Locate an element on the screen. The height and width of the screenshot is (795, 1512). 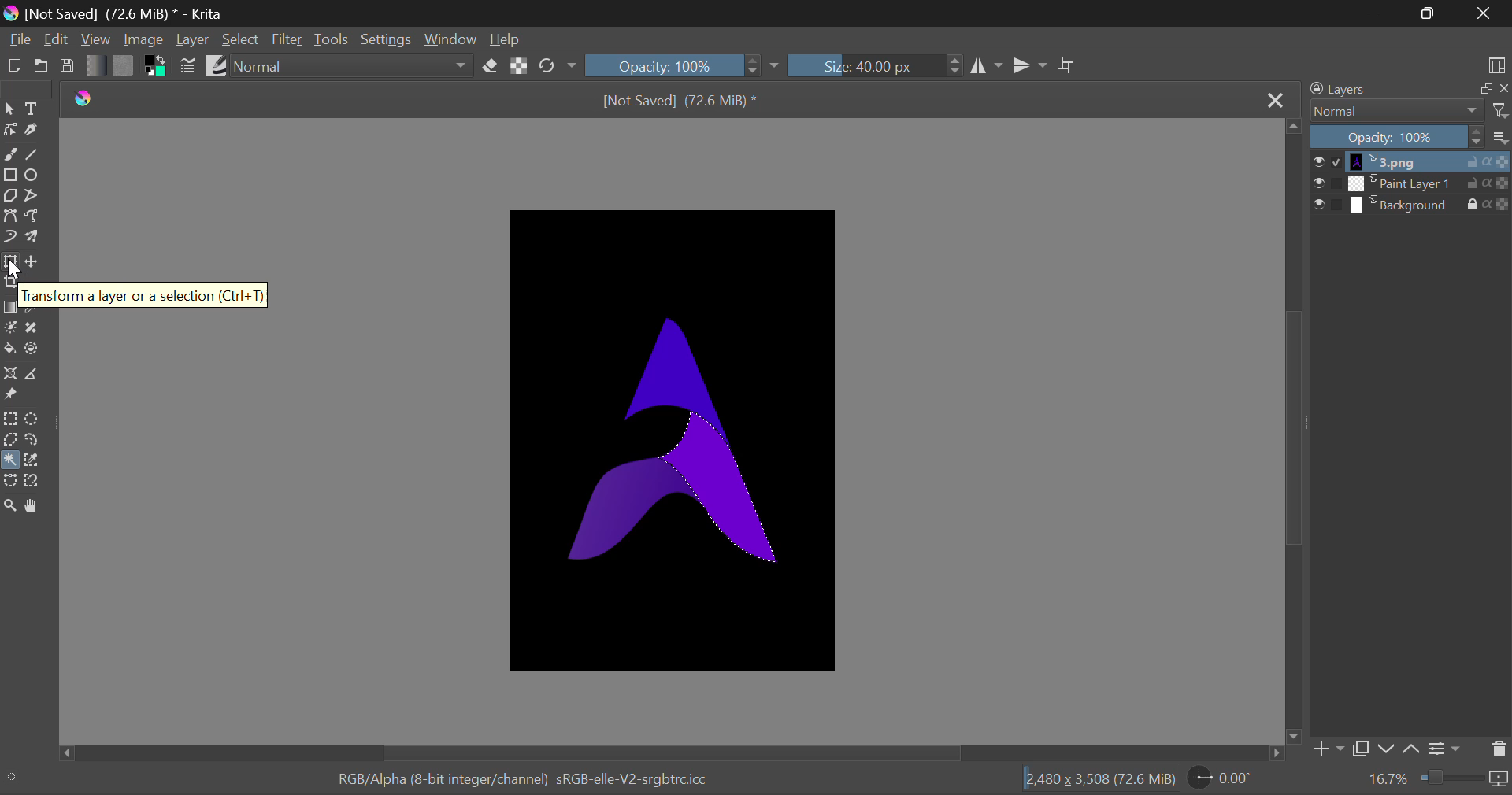
Magnetic Curve Selection is located at coordinates (35, 482).